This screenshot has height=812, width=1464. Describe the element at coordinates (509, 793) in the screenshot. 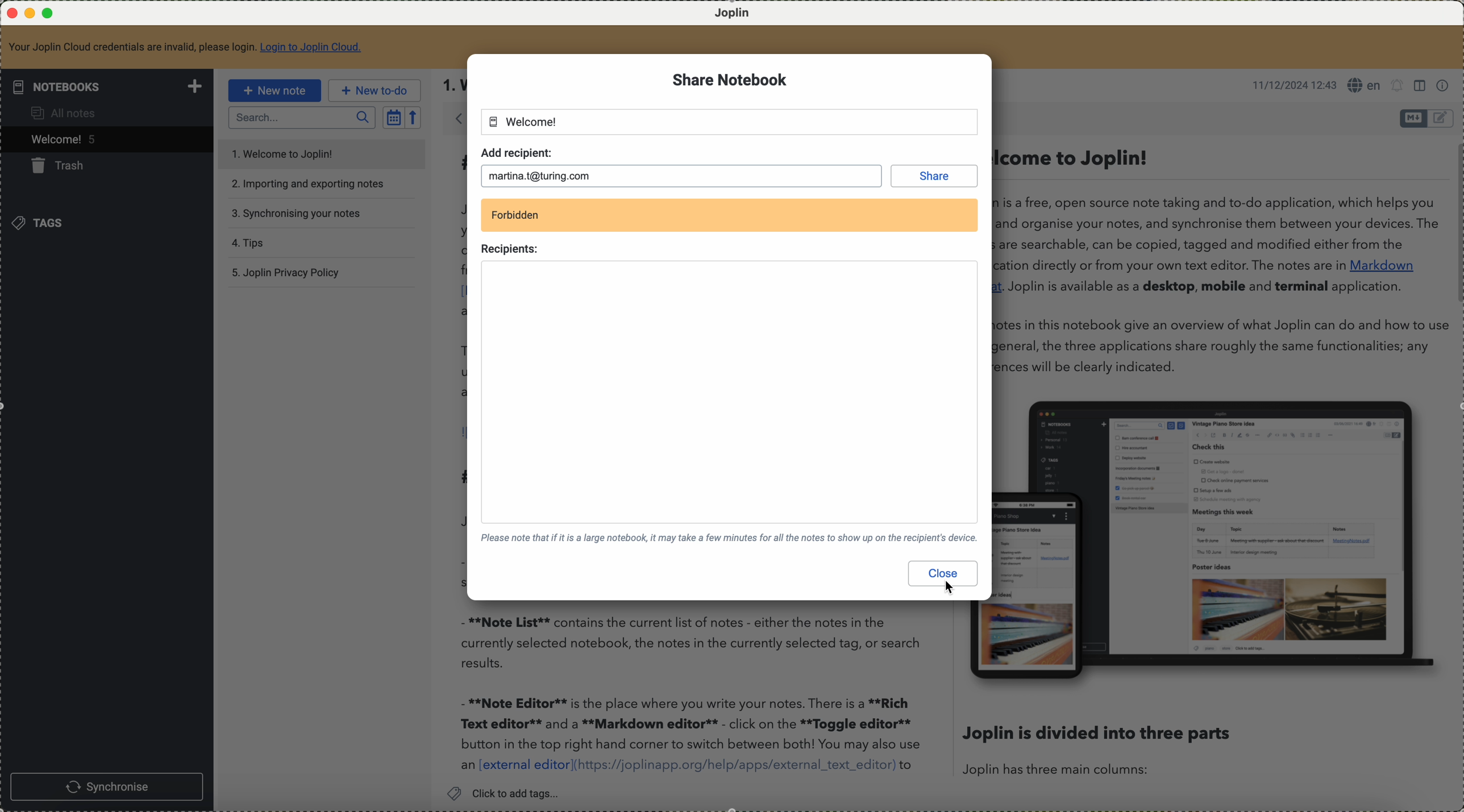

I see `click to add tags` at that location.